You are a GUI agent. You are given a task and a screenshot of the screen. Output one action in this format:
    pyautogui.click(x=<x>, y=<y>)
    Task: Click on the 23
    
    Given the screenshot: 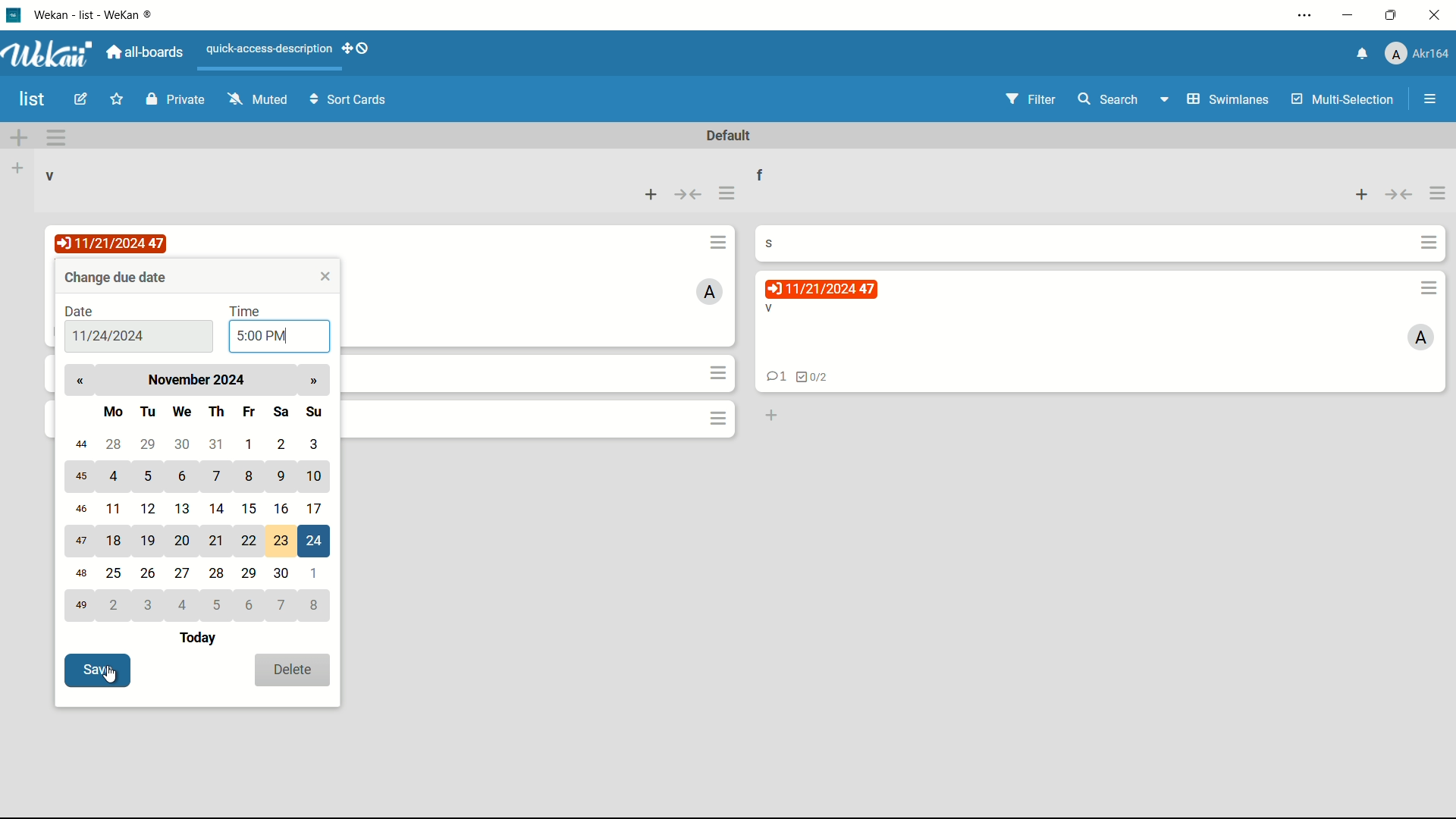 What is the action you would take?
    pyautogui.click(x=283, y=541)
    